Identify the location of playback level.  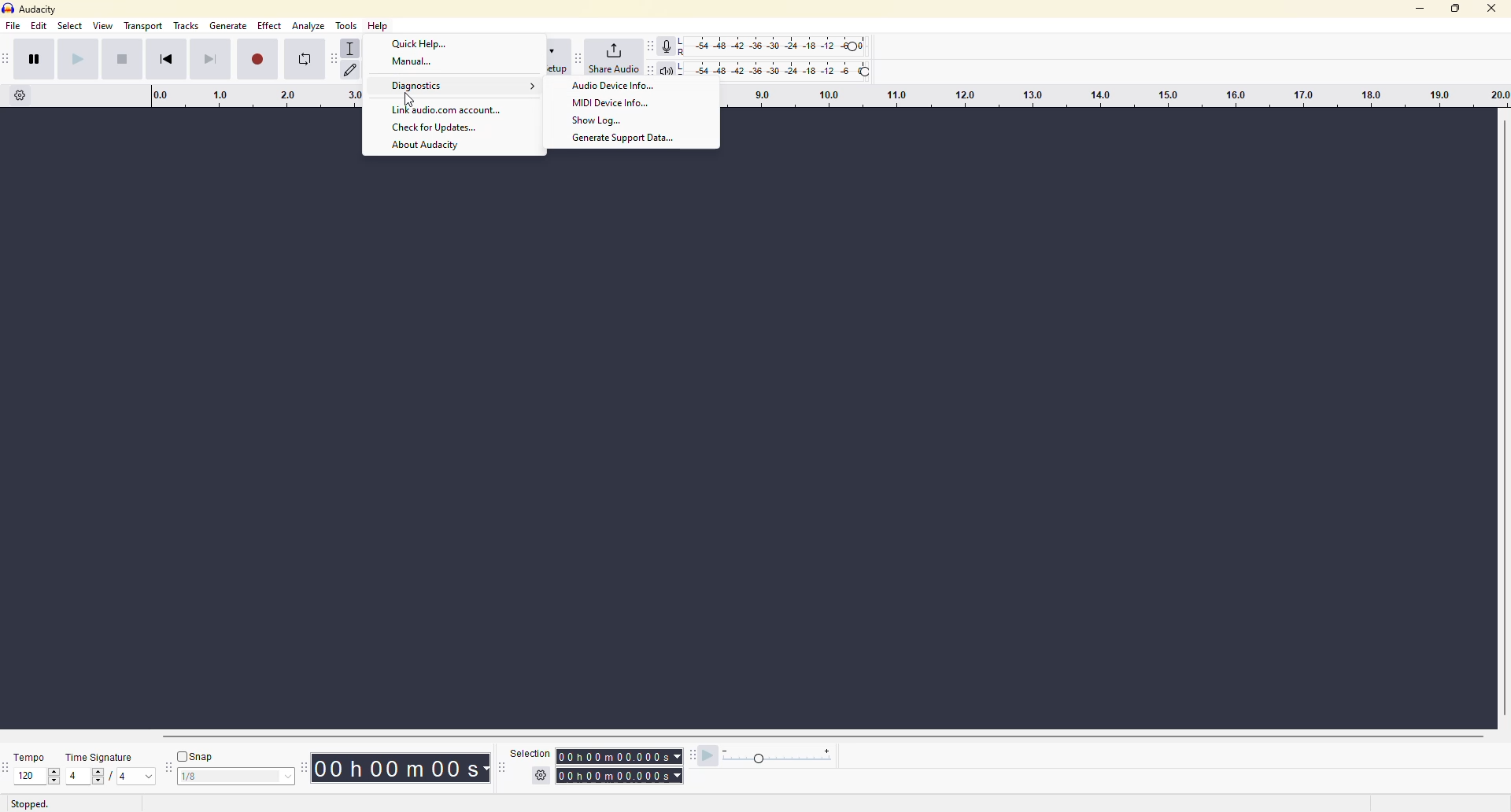
(783, 68).